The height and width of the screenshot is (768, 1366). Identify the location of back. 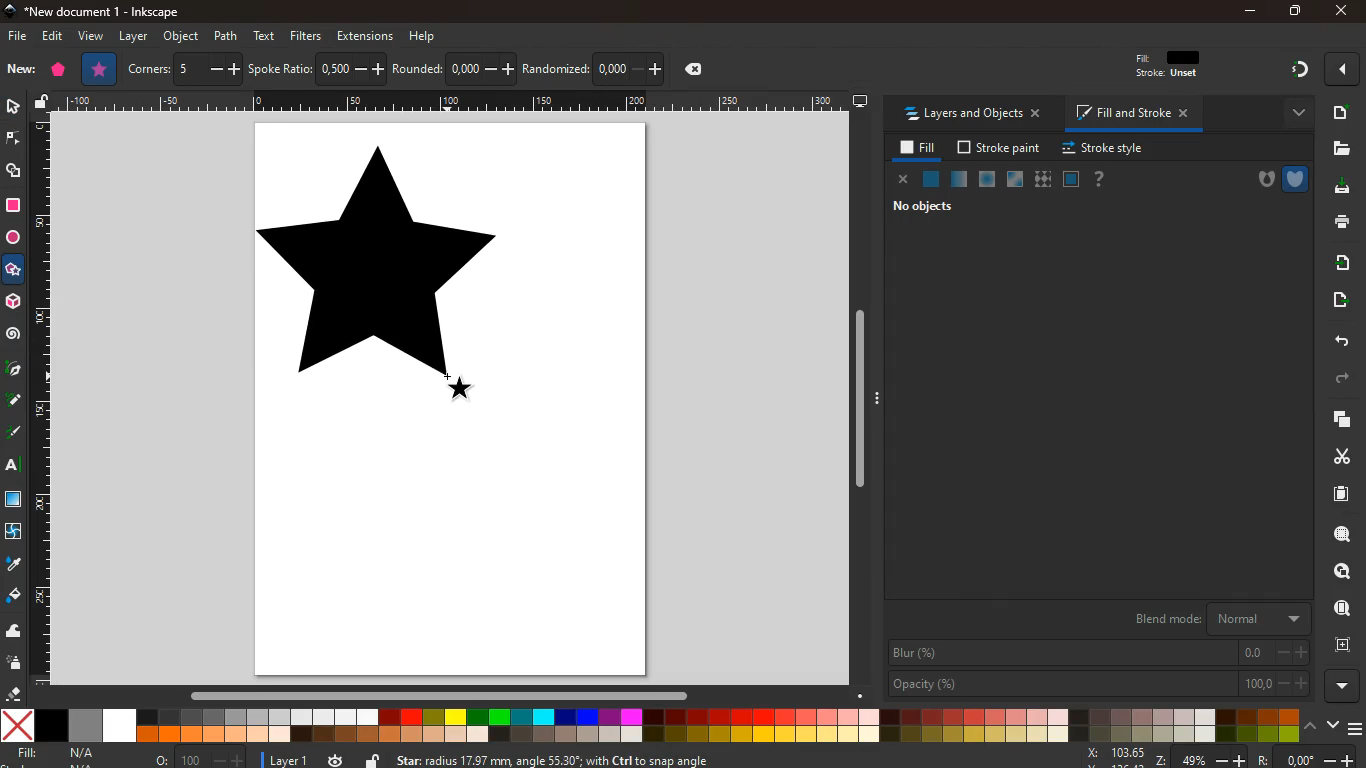
(1337, 342).